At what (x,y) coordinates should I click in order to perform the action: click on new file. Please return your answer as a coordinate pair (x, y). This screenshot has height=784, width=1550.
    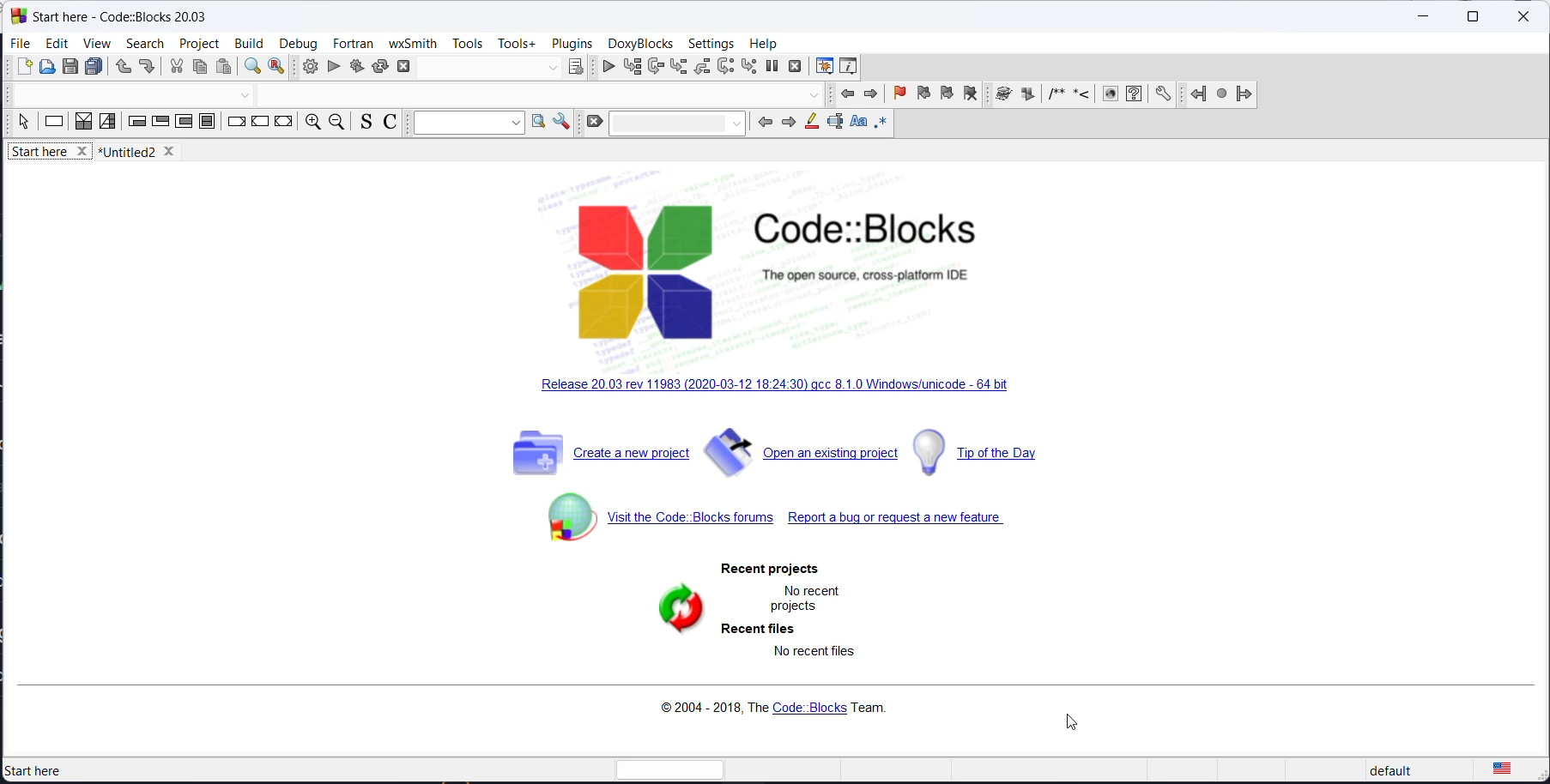
    Looking at the image, I should click on (25, 70).